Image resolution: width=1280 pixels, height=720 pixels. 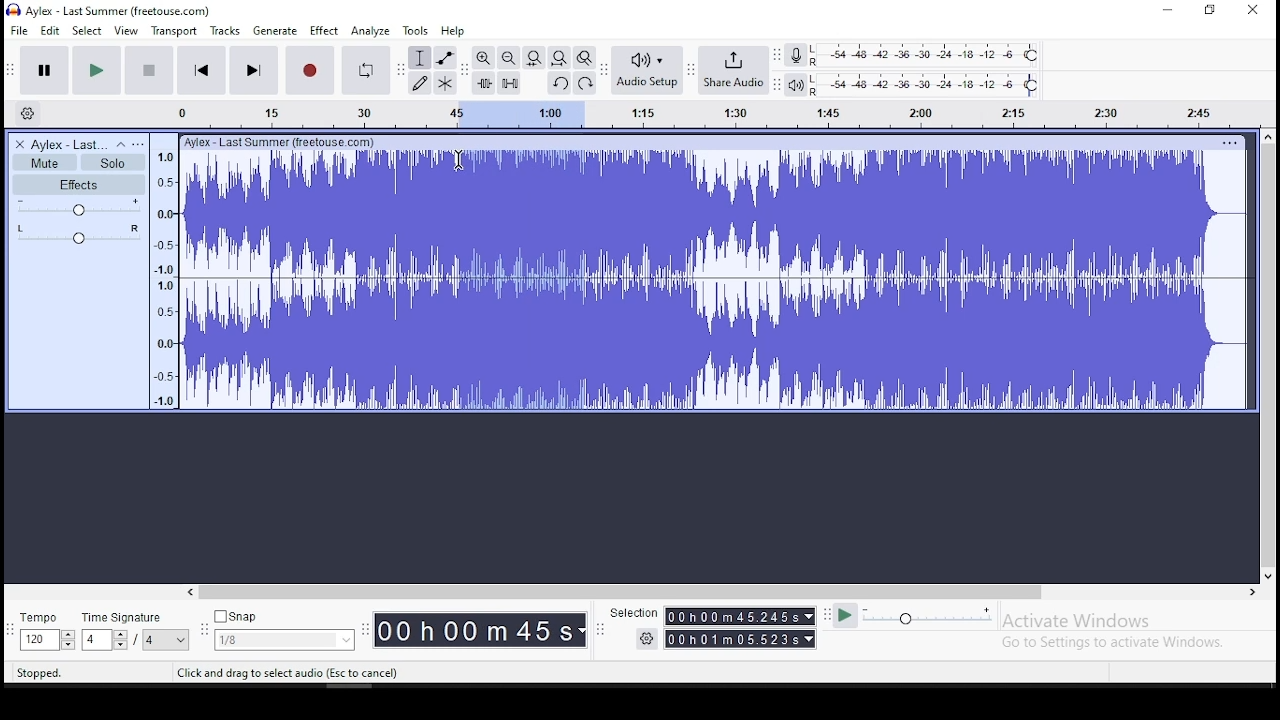 I want to click on skip to start, so click(x=201, y=71).